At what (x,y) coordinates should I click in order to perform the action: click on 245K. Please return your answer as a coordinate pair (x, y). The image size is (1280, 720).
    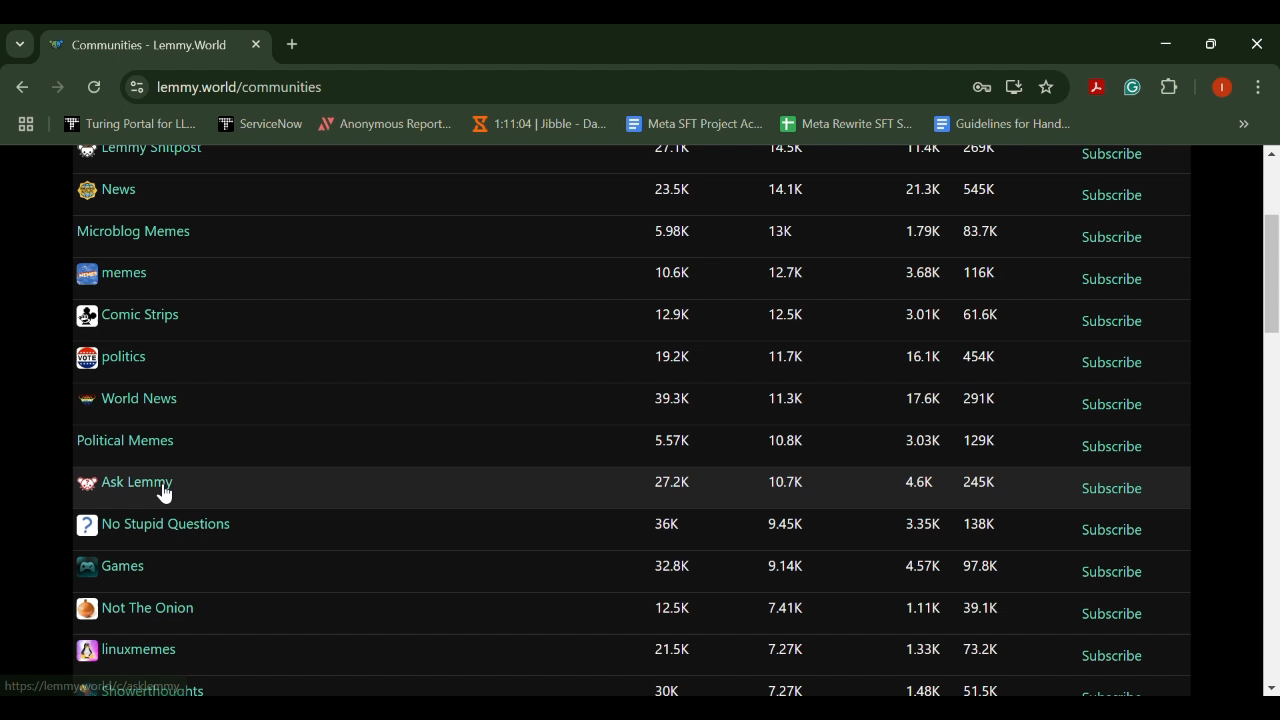
    Looking at the image, I should click on (979, 483).